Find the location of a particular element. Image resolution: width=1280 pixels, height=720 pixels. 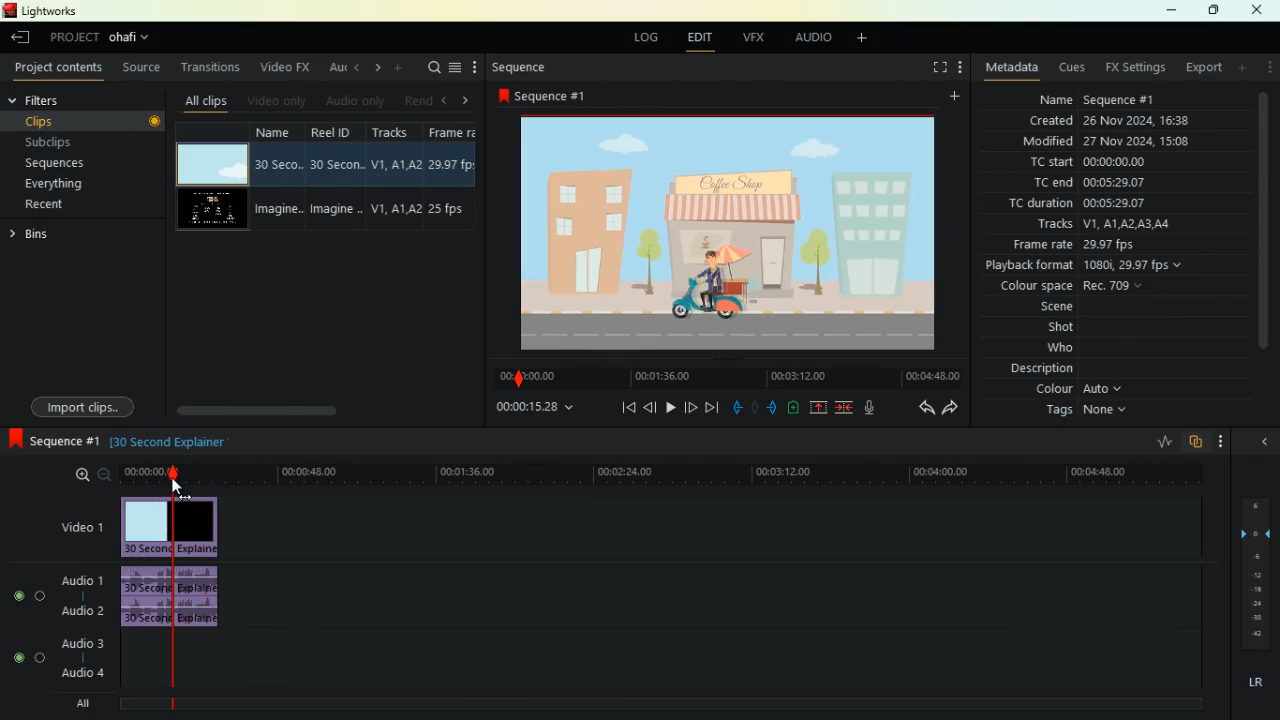

timeline is located at coordinates (658, 474).